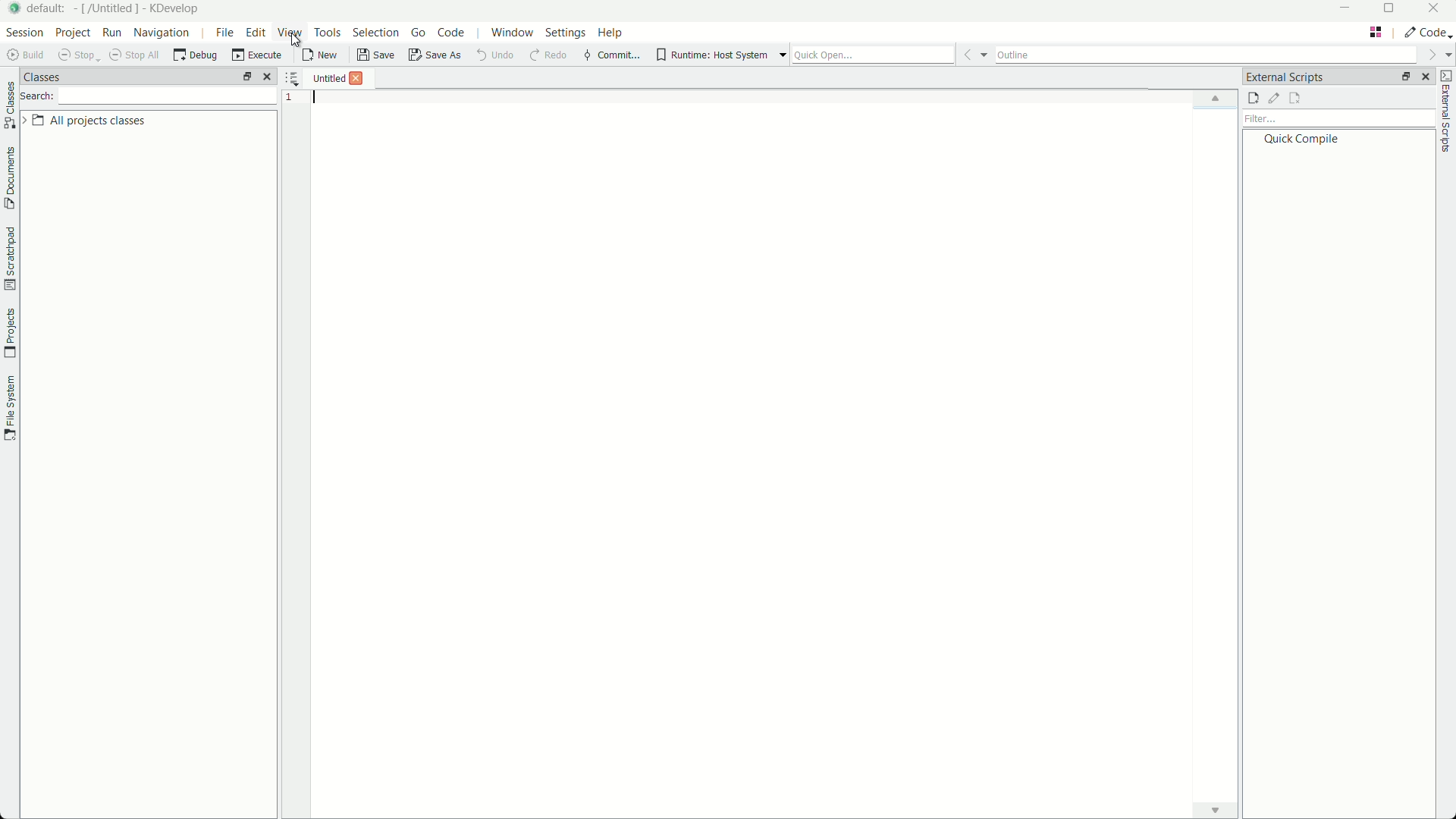  Describe the element at coordinates (9, 331) in the screenshot. I see `projects` at that location.